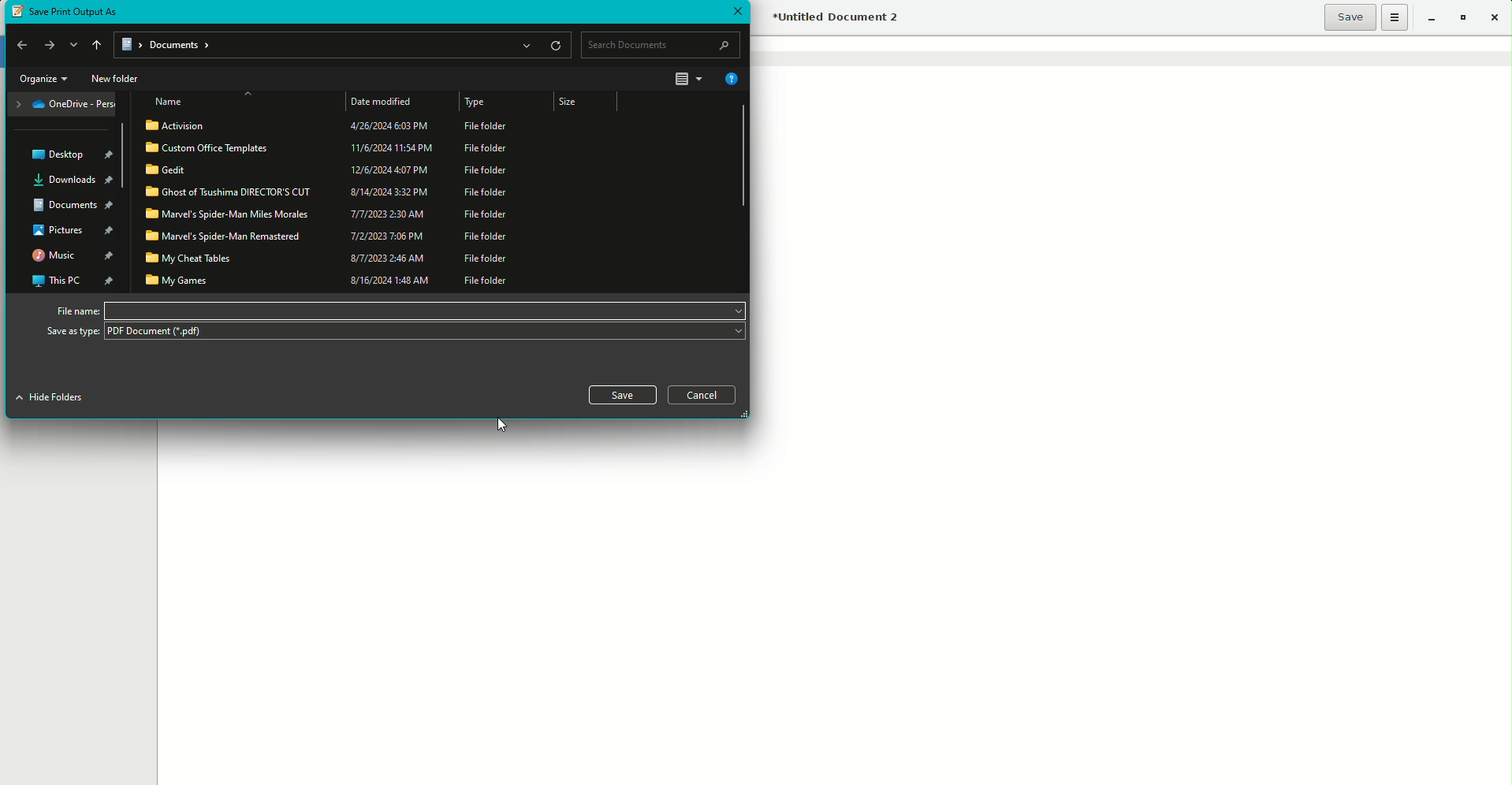 Image resolution: width=1512 pixels, height=785 pixels. Describe the element at coordinates (334, 279) in the screenshot. I see `My games` at that location.